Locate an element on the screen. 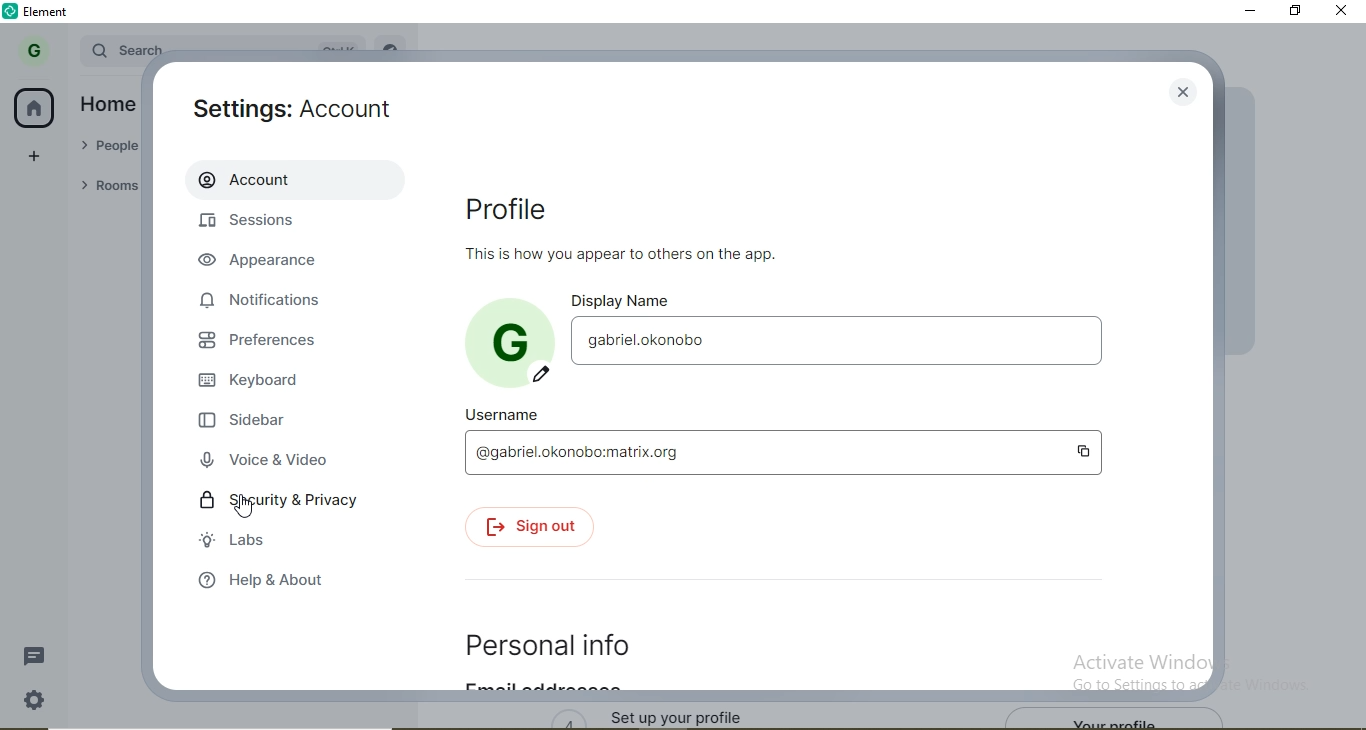 Image resolution: width=1366 pixels, height=730 pixels. sign out is located at coordinates (534, 524).